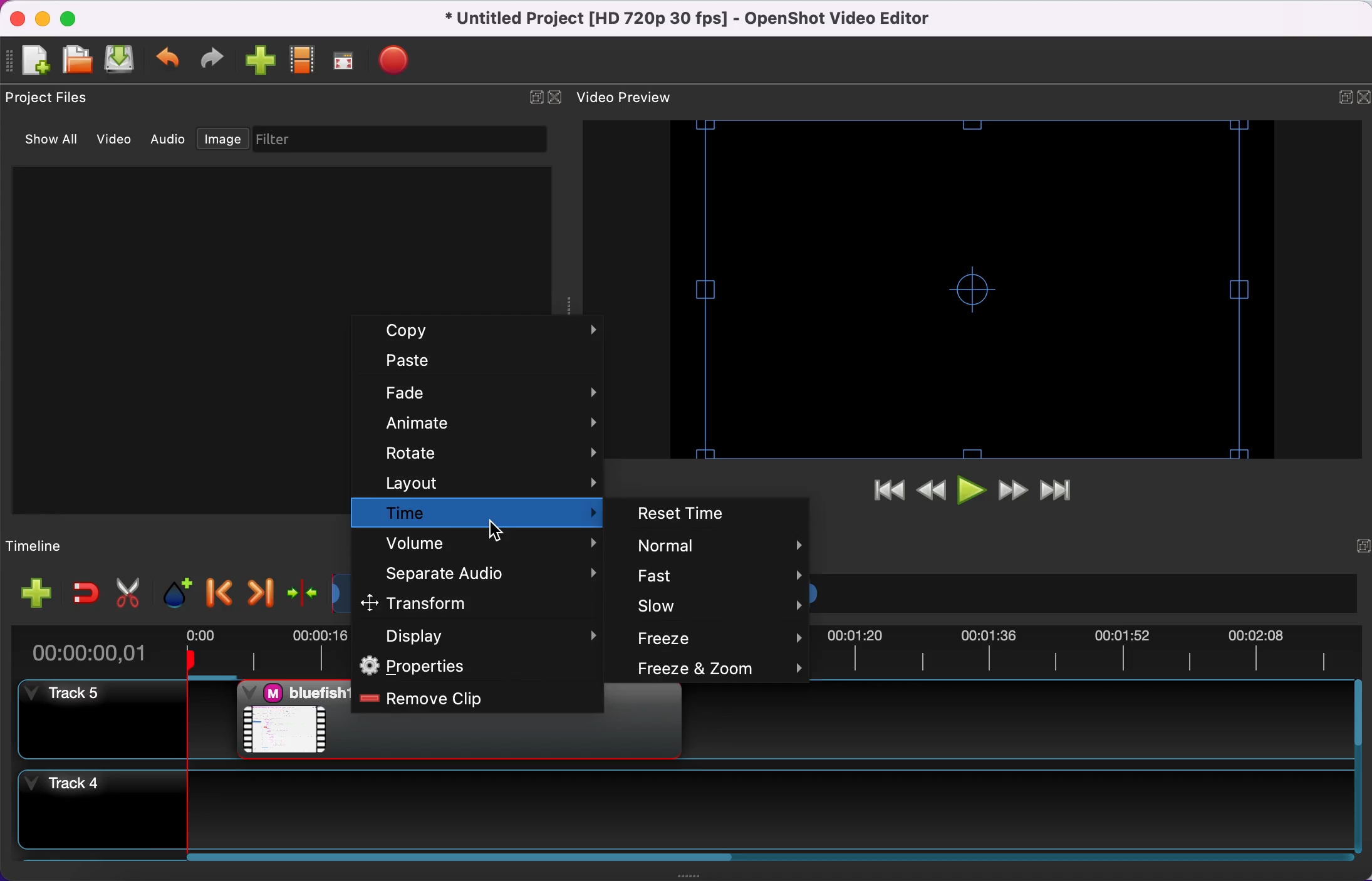  What do you see at coordinates (479, 667) in the screenshot?
I see `properties` at bounding box center [479, 667].